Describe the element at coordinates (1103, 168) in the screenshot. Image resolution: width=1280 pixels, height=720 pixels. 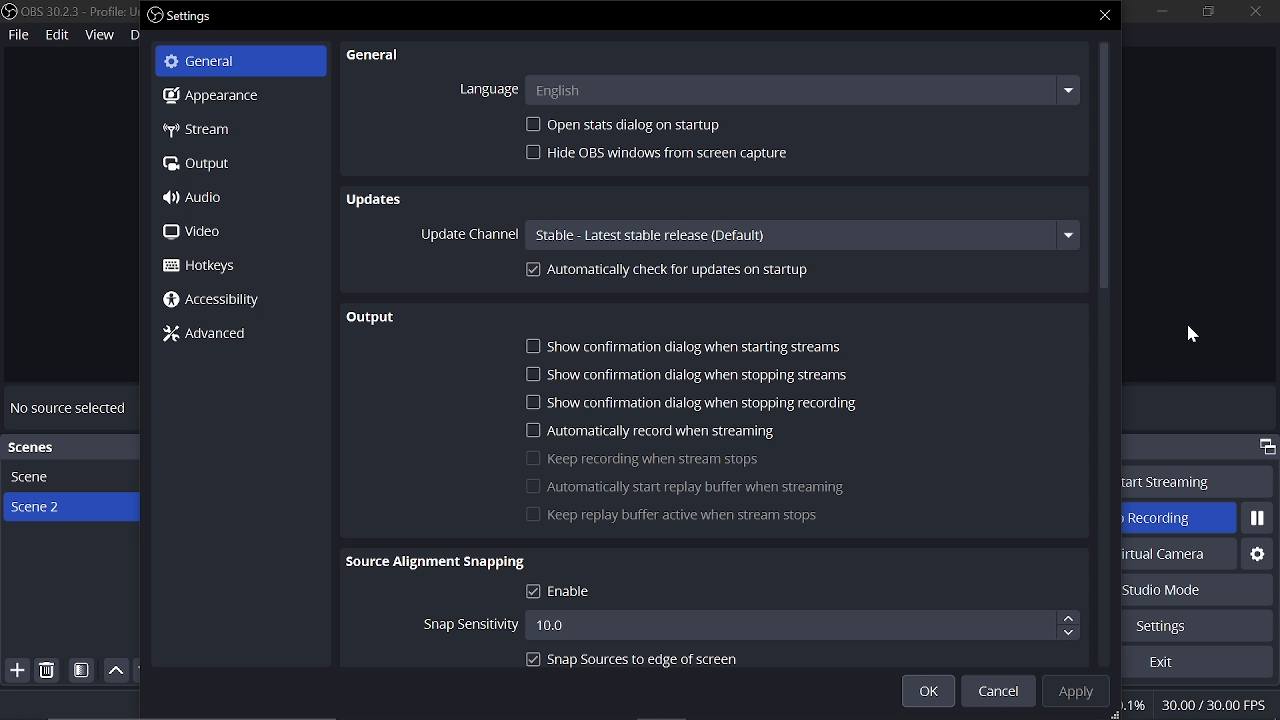
I see `Vertical scrollbar` at that location.